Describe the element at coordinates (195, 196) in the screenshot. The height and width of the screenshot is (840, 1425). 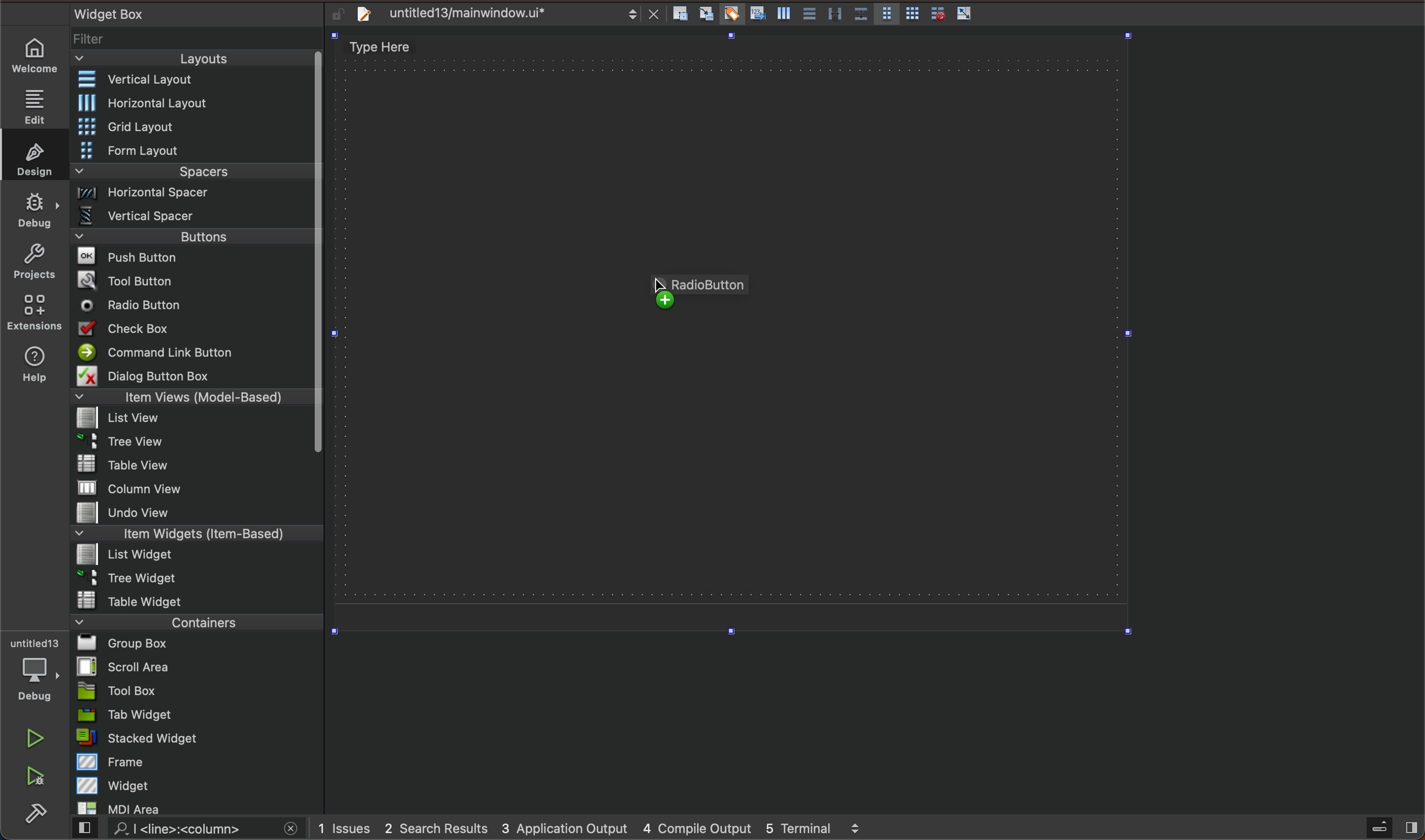
I see `` at that location.